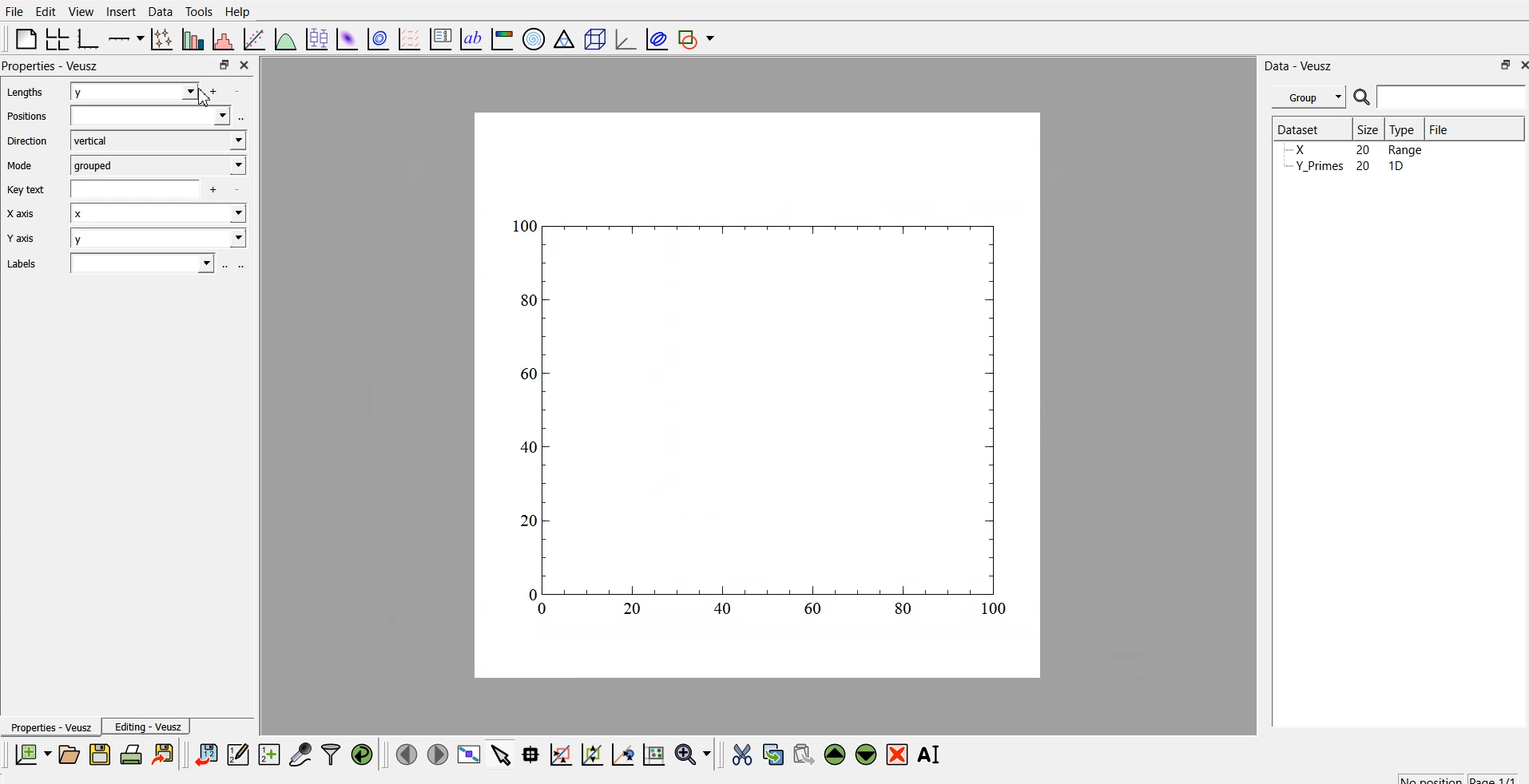 The width and height of the screenshot is (1529, 784). What do you see at coordinates (1344, 151) in the screenshot?
I see `Y_Primes 20 1D` at bounding box center [1344, 151].